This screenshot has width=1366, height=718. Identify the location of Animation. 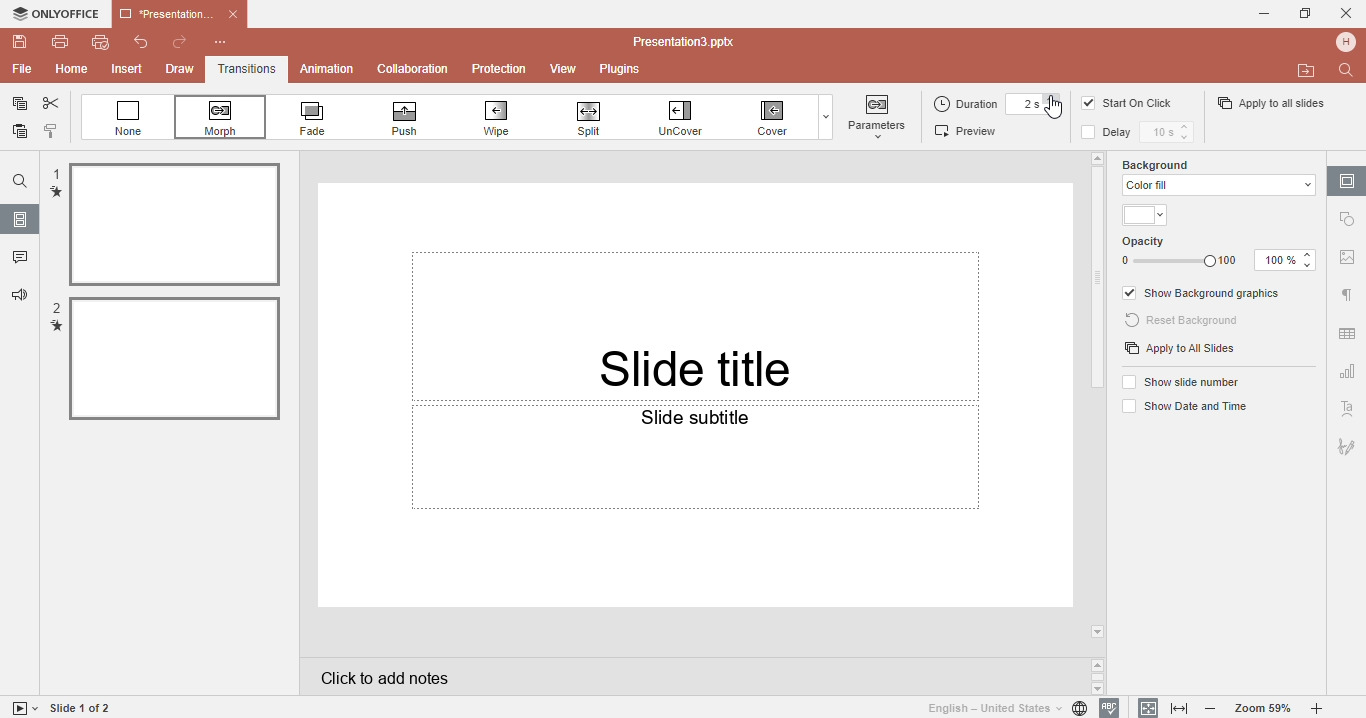
(326, 68).